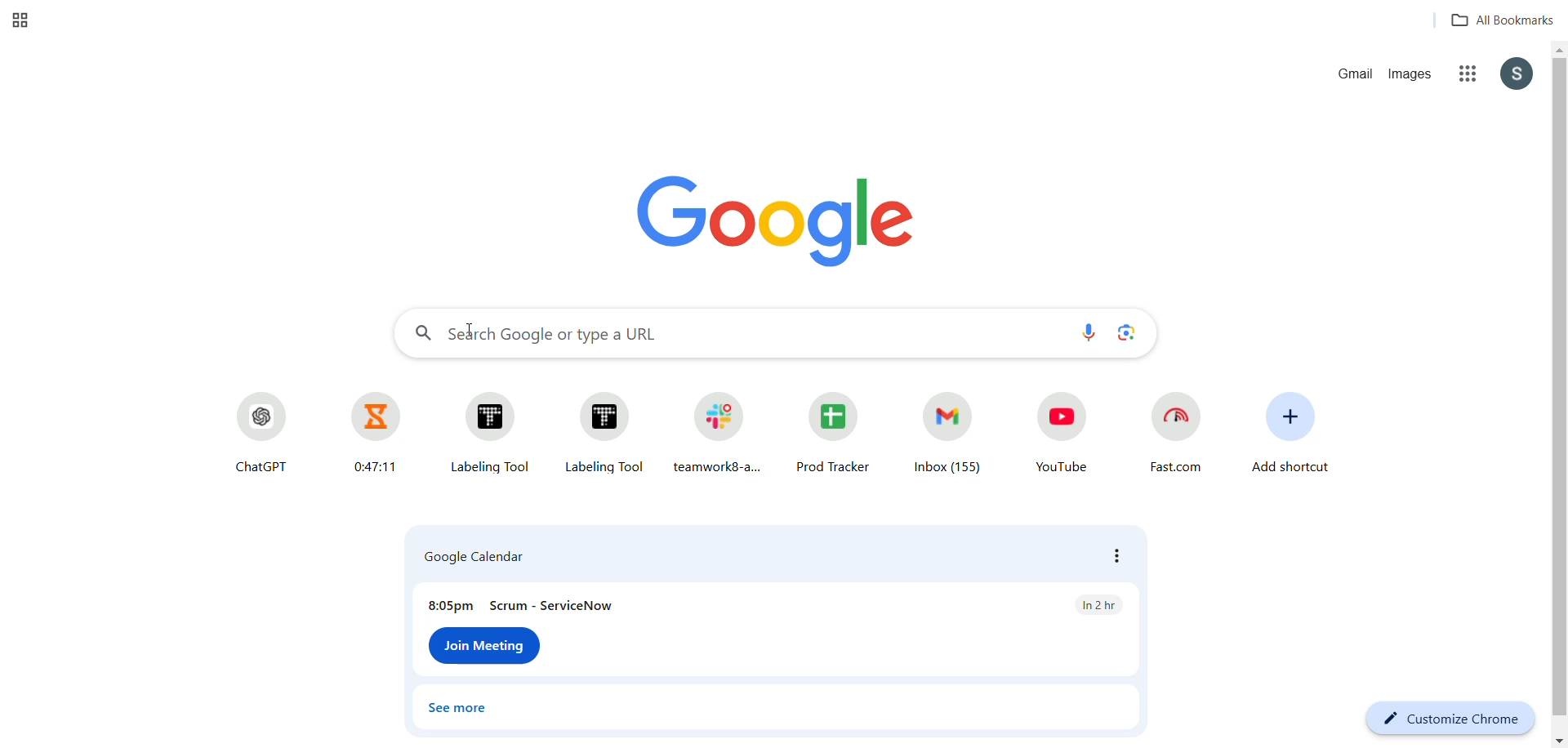  What do you see at coordinates (1446, 718) in the screenshot?
I see `customize chrome` at bounding box center [1446, 718].